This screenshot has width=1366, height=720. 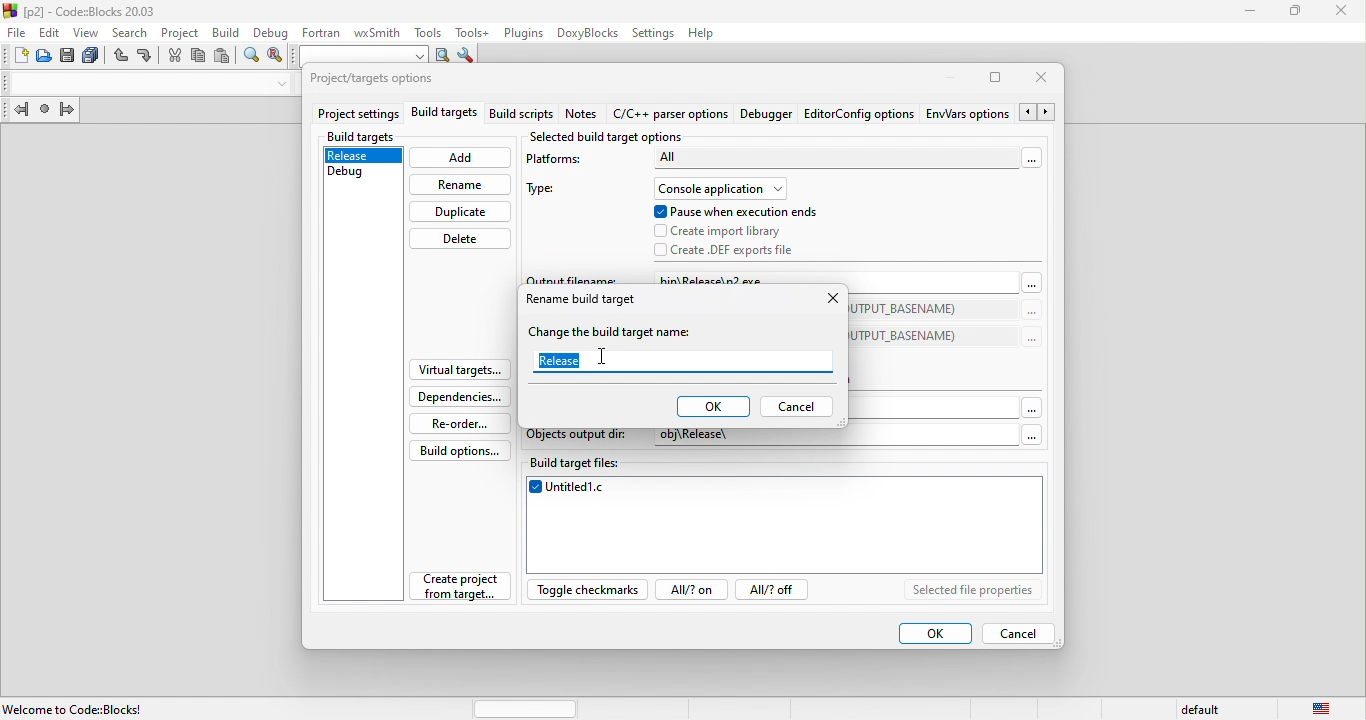 I want to click on all?off, so click(x=776, y=591).